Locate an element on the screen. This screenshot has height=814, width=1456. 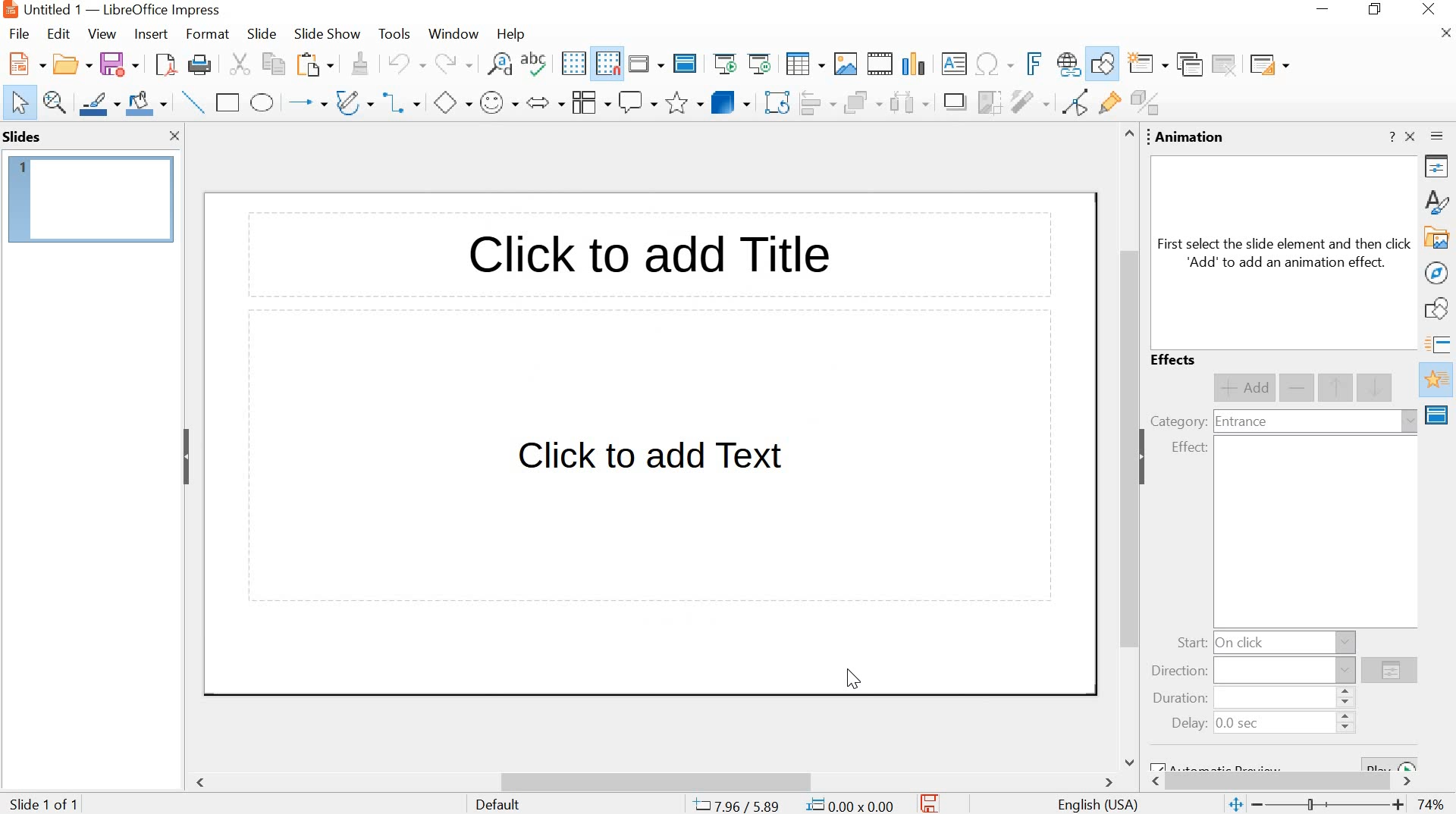
language is located at coordinates (1099, 806).